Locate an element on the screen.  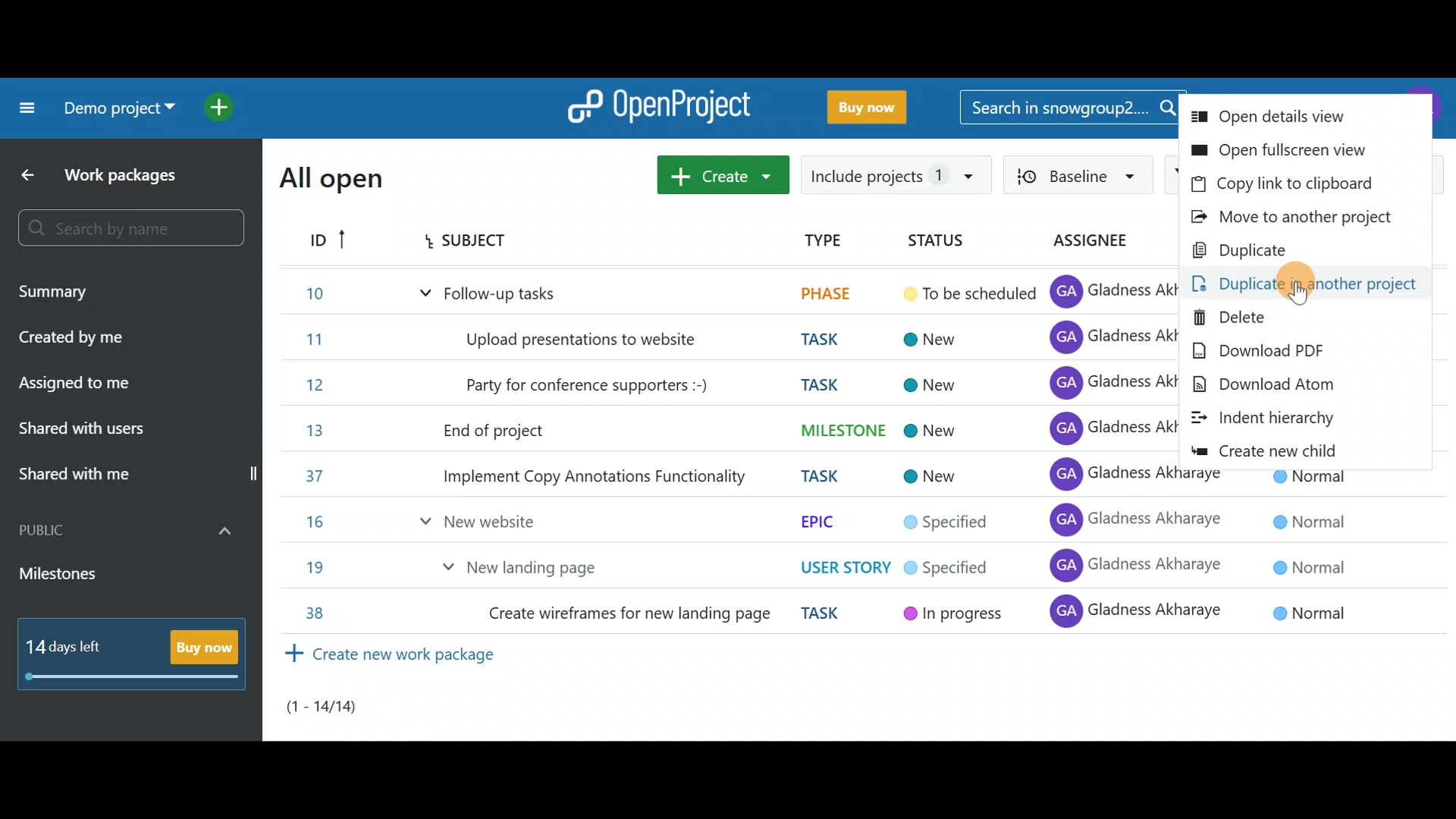
Search by name is located at coordinates (129, 231).